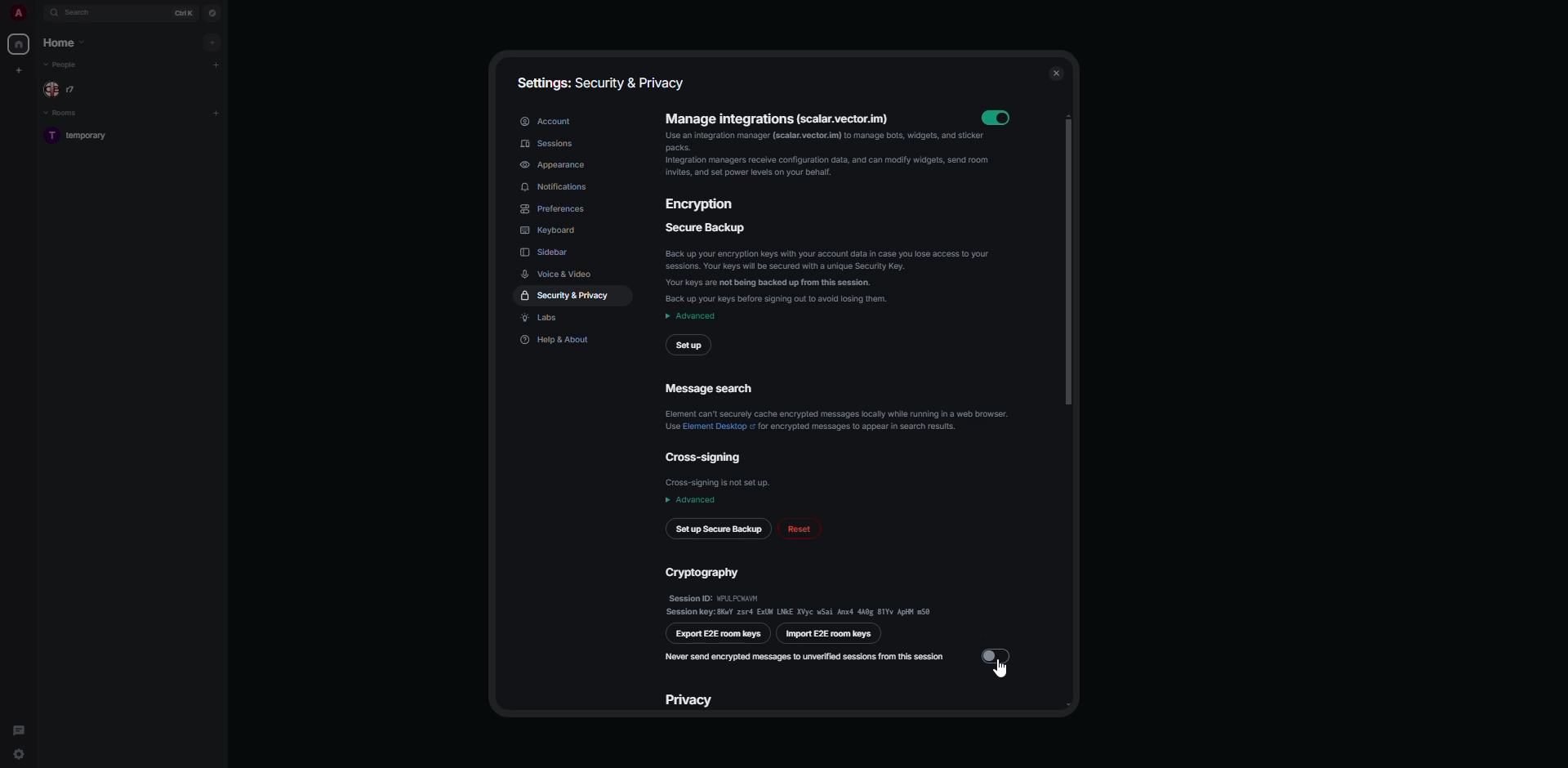 The width and height of the screenshot is (1568, 768). Describe the element at coordinates (800, 589) in the screenshot. I see `cryptography session id: wpulpowavm session key: 8kwy zsr4 exum lnke xvyc wsai anx4 4a0g81yvaphm ms0` at that location.